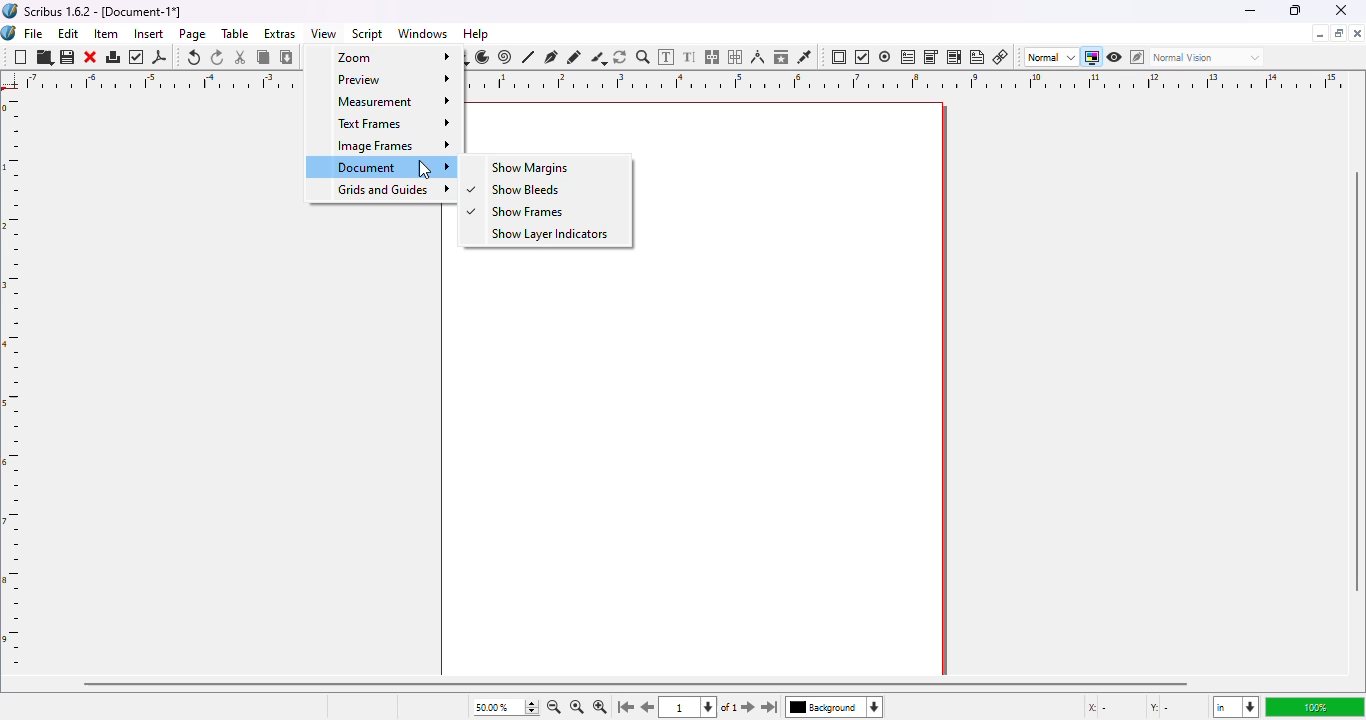 This screenshot has width=1366, height=720. I want to click on workspace, so click(806, 376).